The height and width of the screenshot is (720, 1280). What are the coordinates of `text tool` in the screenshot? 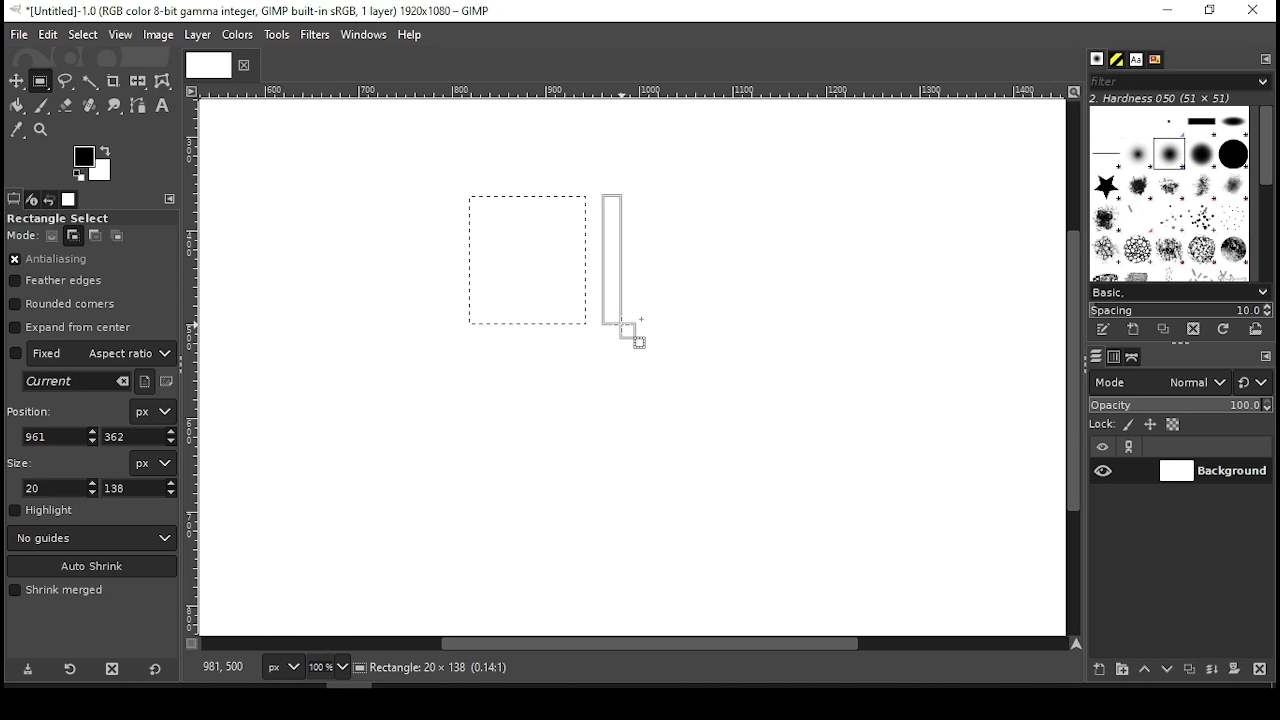 It's located at (162, 107).